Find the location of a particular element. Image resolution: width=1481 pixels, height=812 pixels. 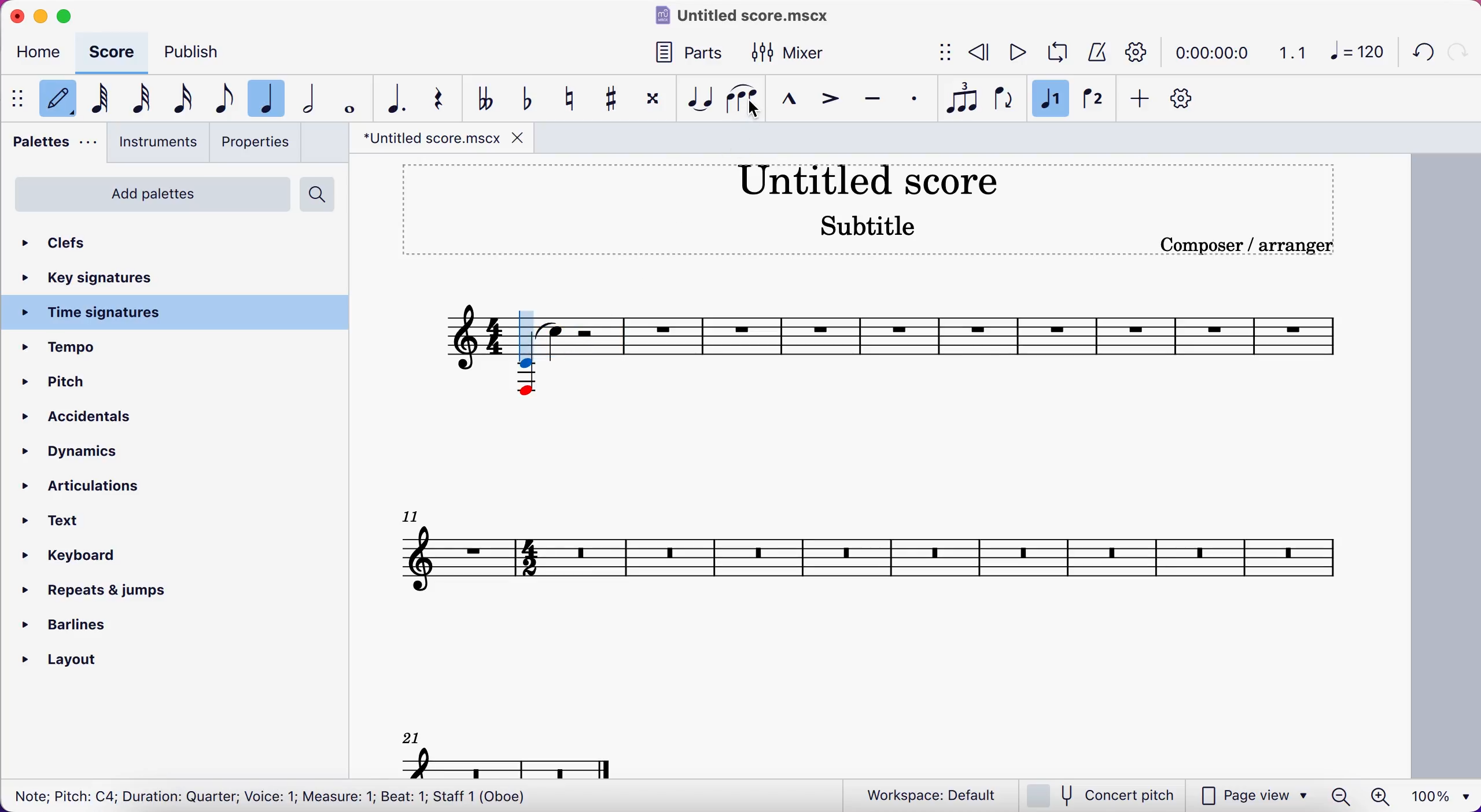

toggle double sharp is located at coordinates (651, 102).